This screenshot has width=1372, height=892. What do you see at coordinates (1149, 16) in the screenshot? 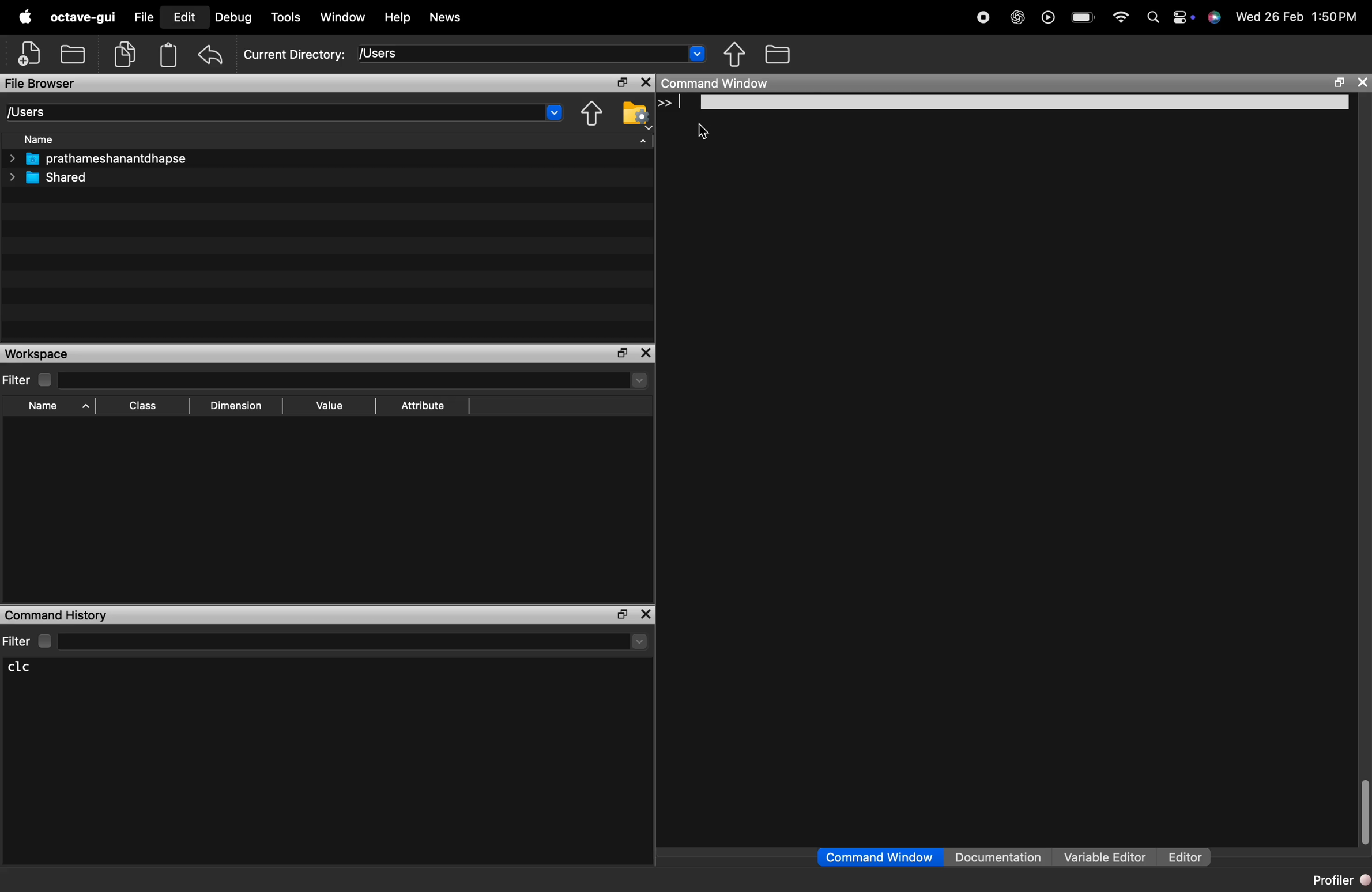
I see `Search` at bounding box center [1149, 16].